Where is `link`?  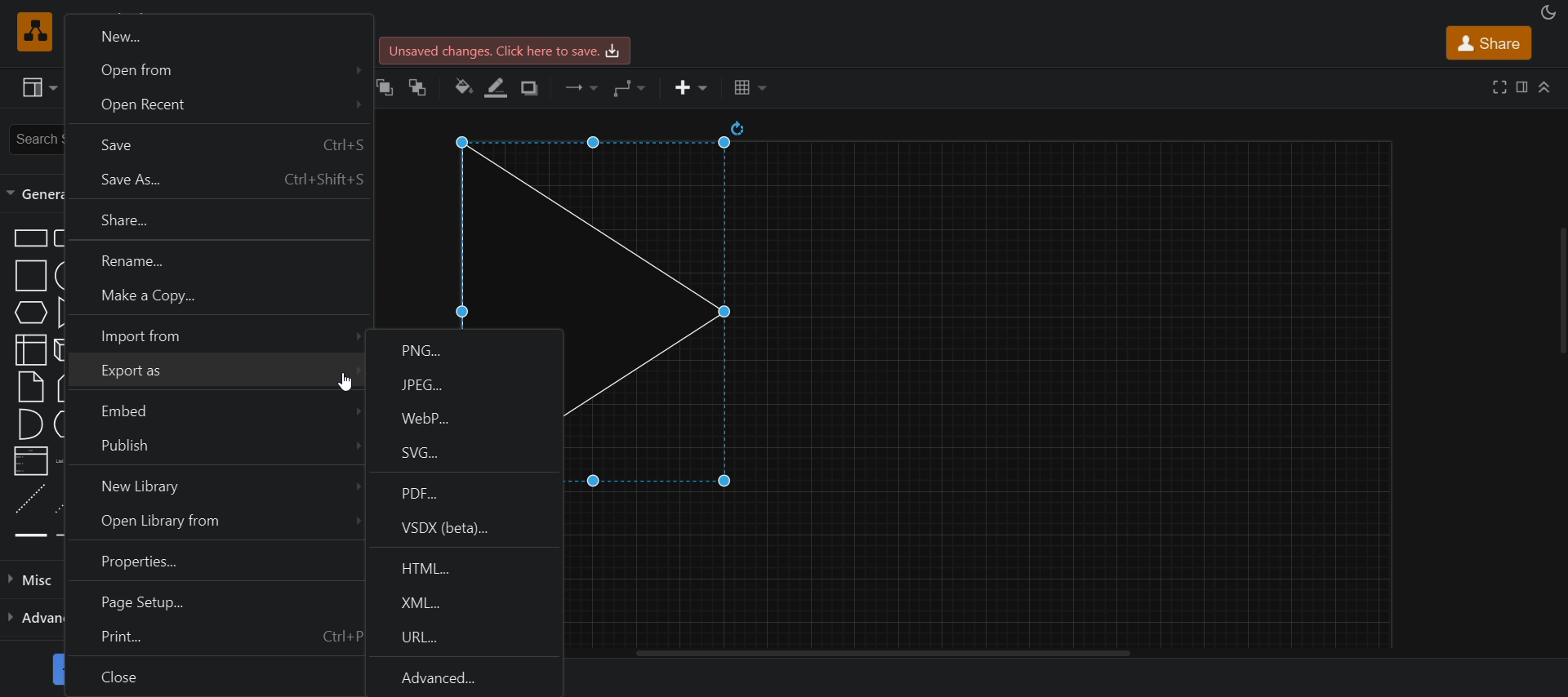
link is located at coordinates (29, 536).